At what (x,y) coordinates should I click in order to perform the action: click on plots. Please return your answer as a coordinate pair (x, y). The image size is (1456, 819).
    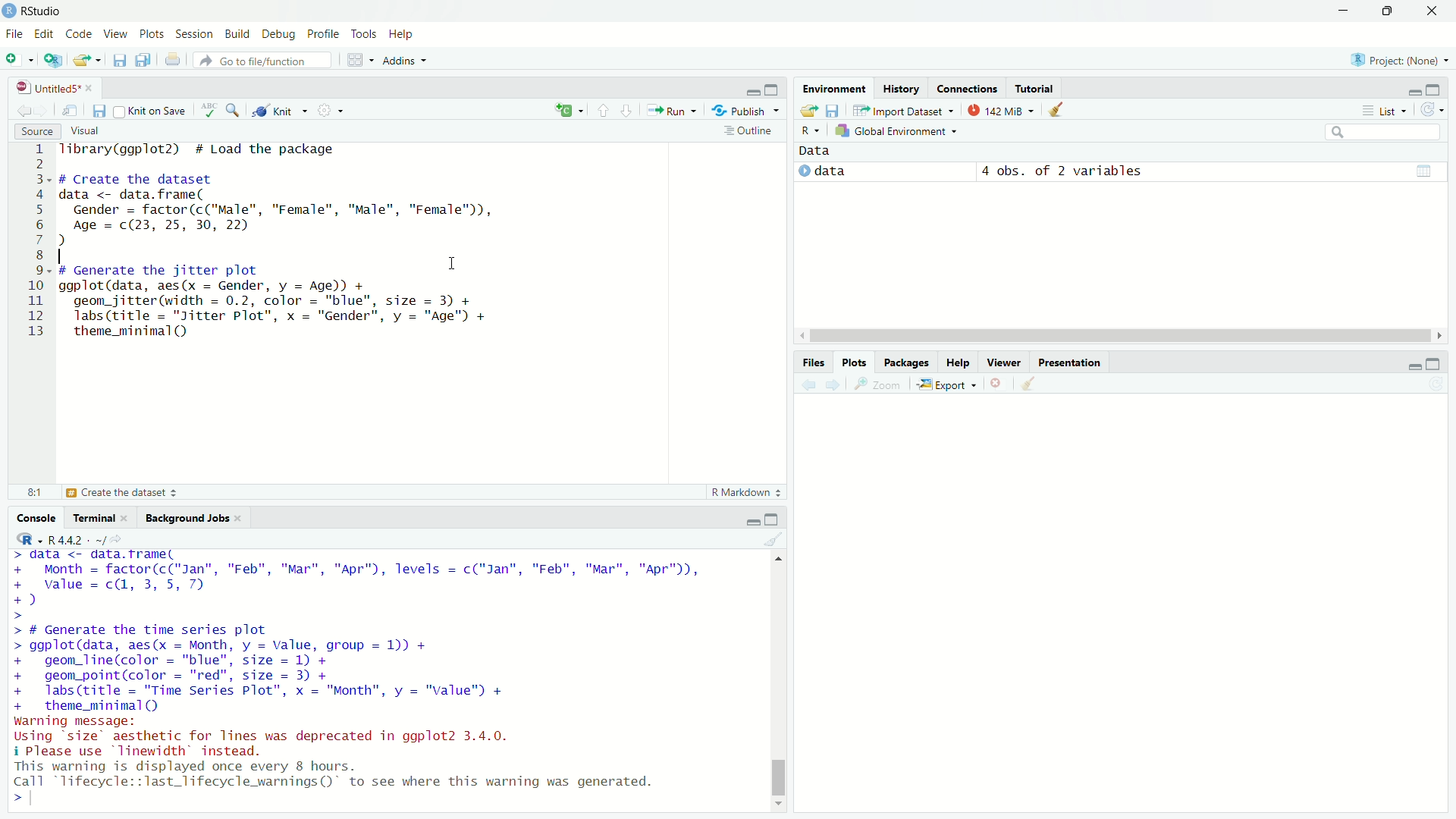
    Looking at the image, I should click on (858, 362).